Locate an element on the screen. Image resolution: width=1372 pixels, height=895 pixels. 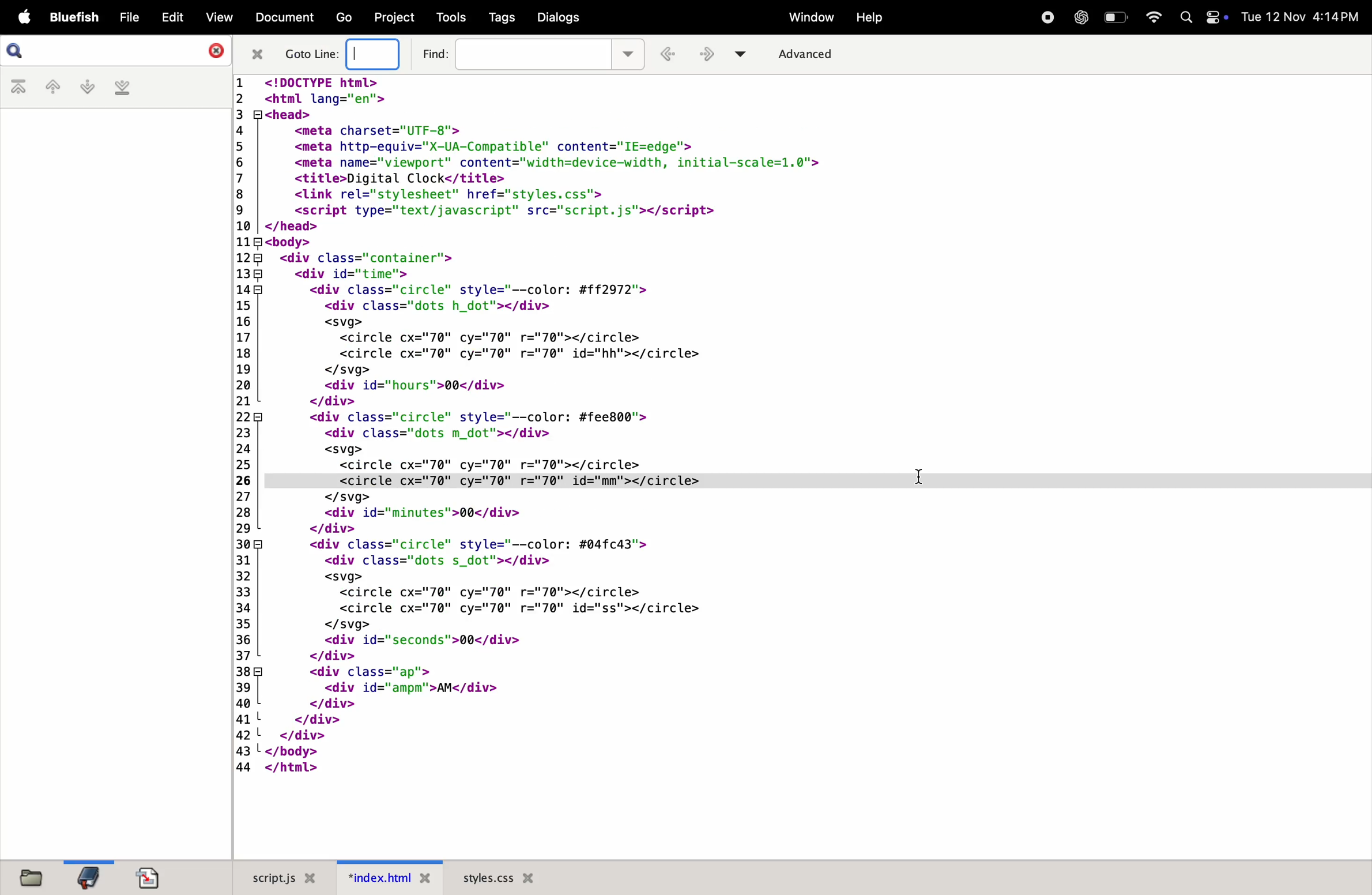
last bookmark is located at coordinates (120, 88).